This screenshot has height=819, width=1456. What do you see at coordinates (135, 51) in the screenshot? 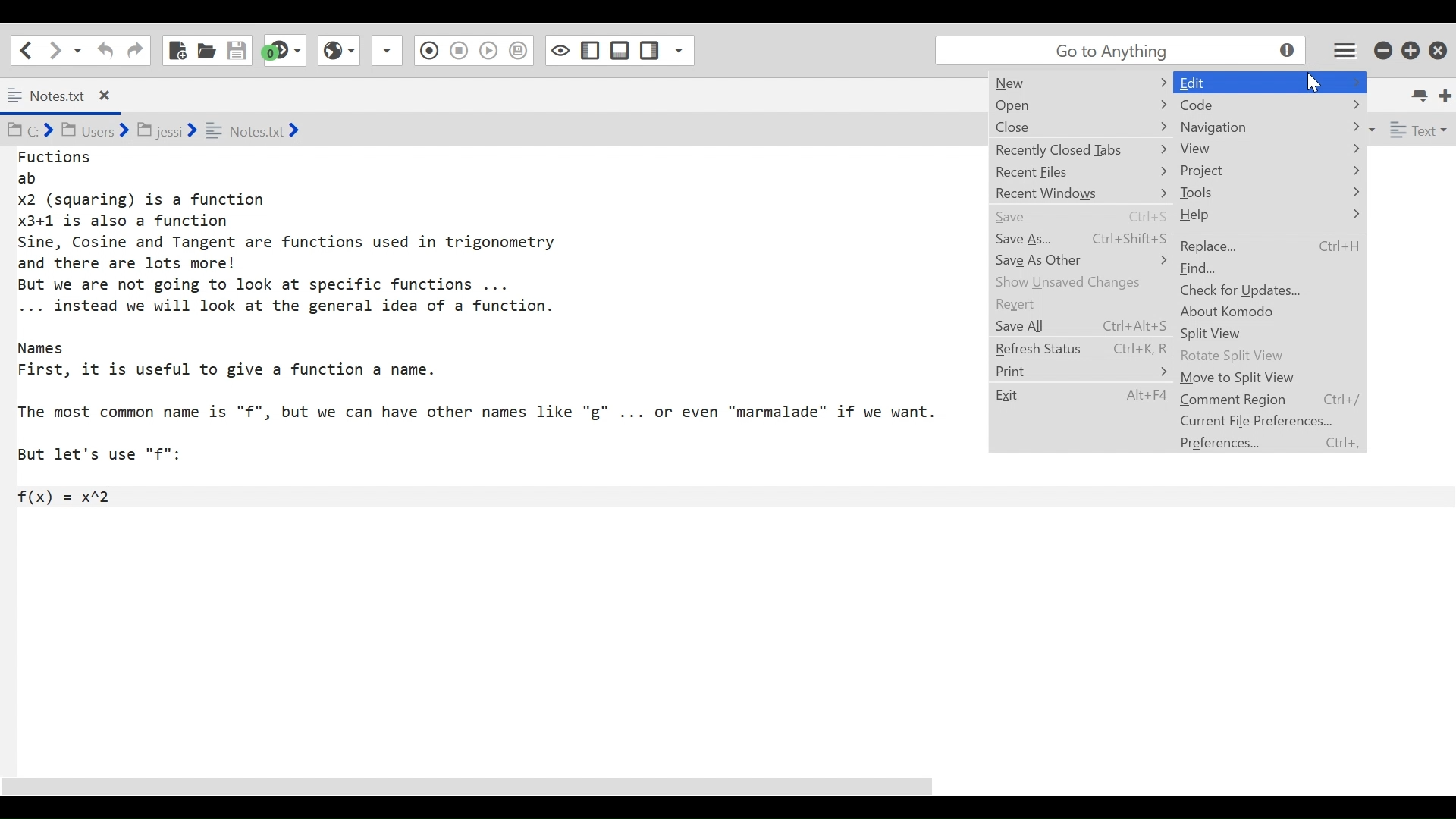
I see `` at bounding box center [135, 51].